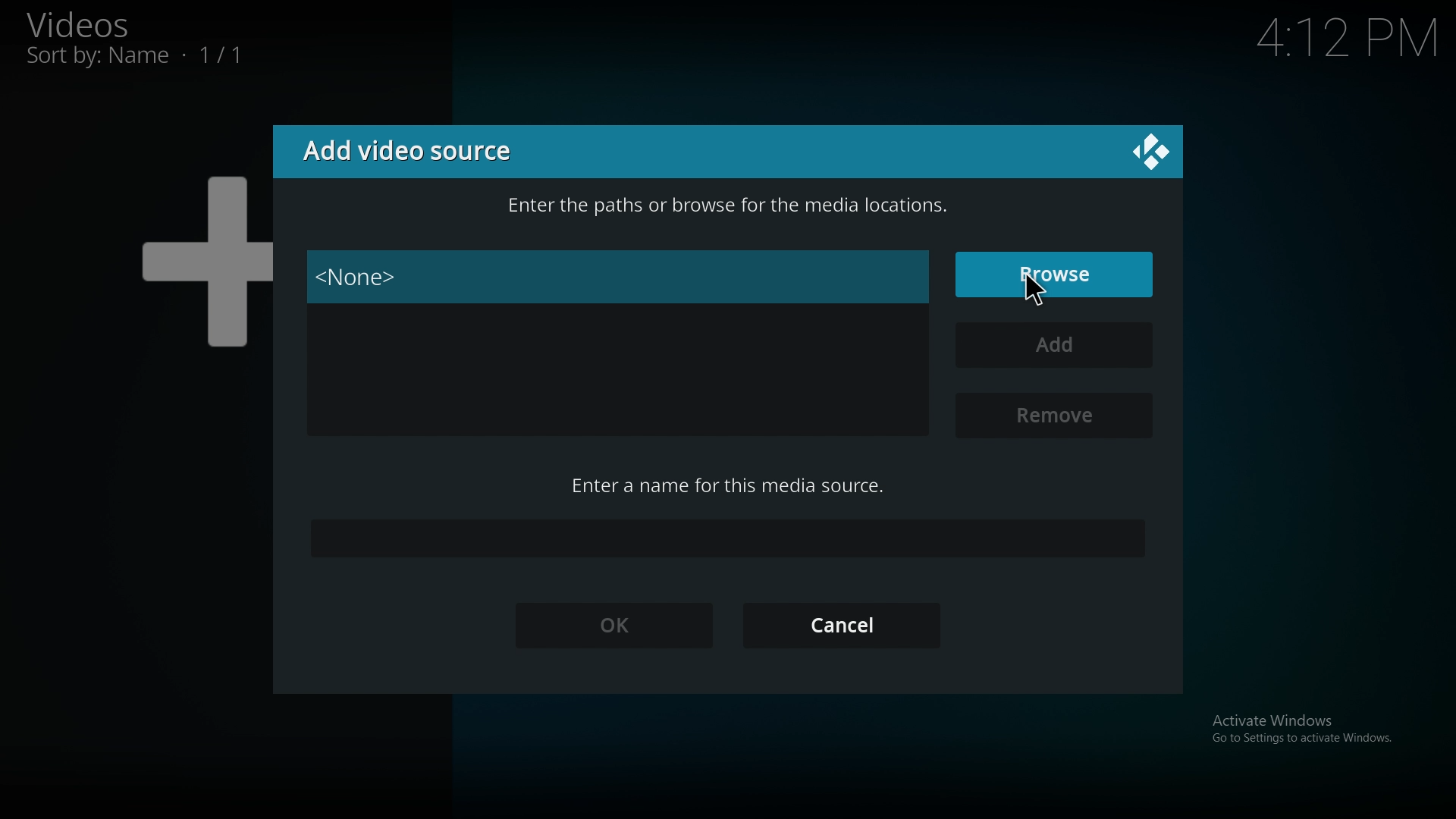  What do you see at coordinates (733, 483) in the screenshot?
I see `enter name` at bounding box center [733, 483].